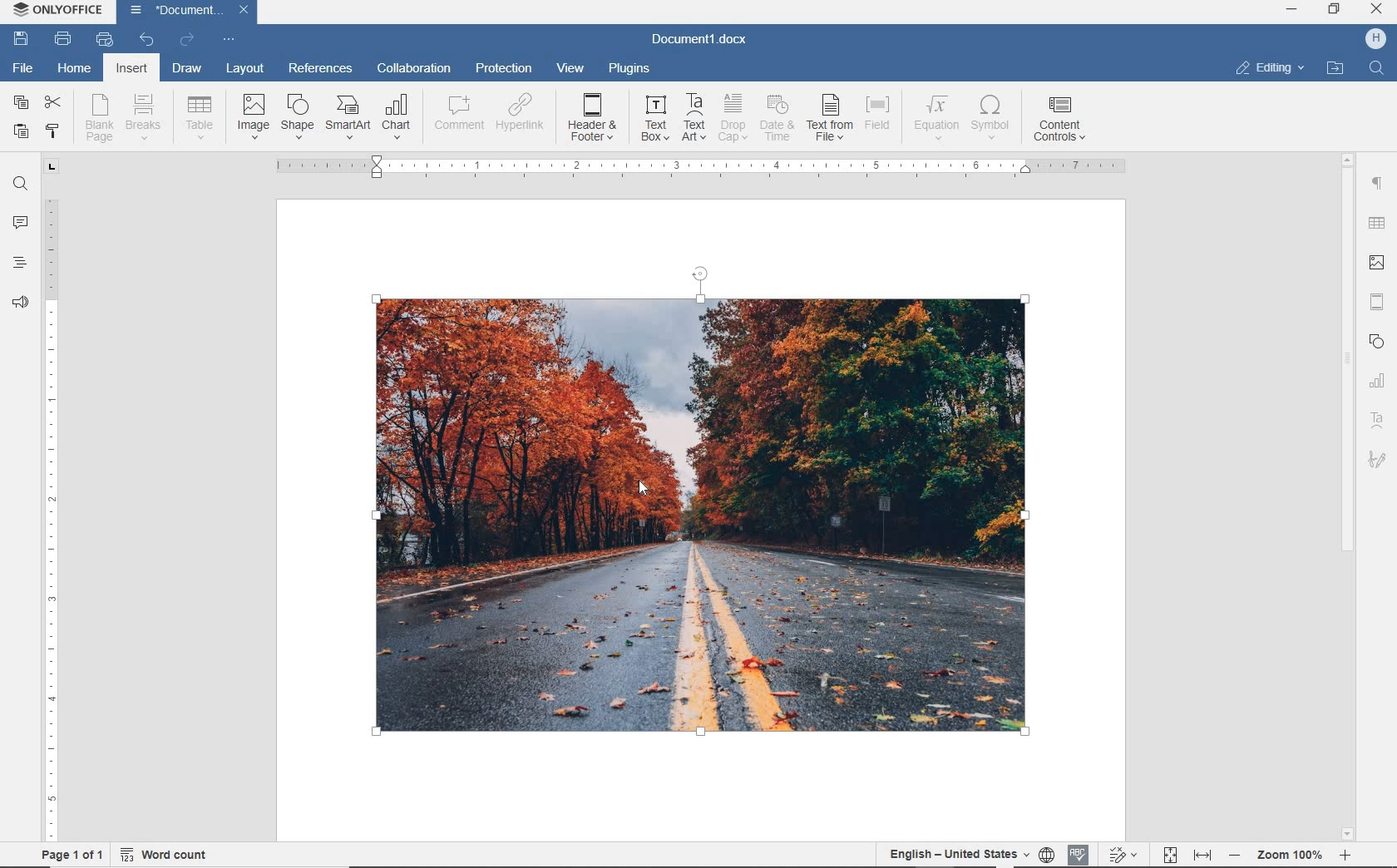  What do you see at coordinates (778, 116) in the screenshot?
I see `date & time` at bounding box center [778, 116].